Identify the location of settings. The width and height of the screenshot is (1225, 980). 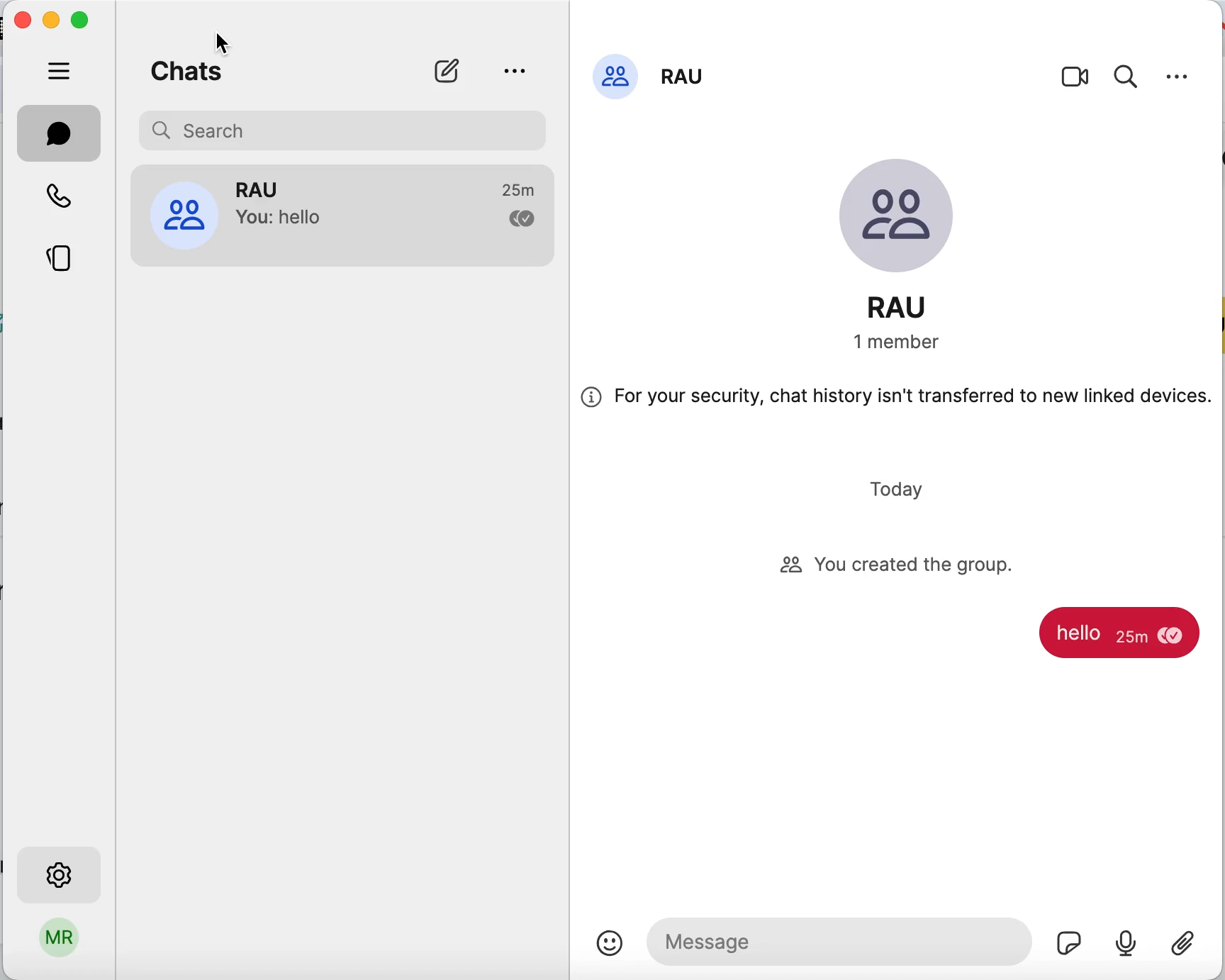
(1184, 70).